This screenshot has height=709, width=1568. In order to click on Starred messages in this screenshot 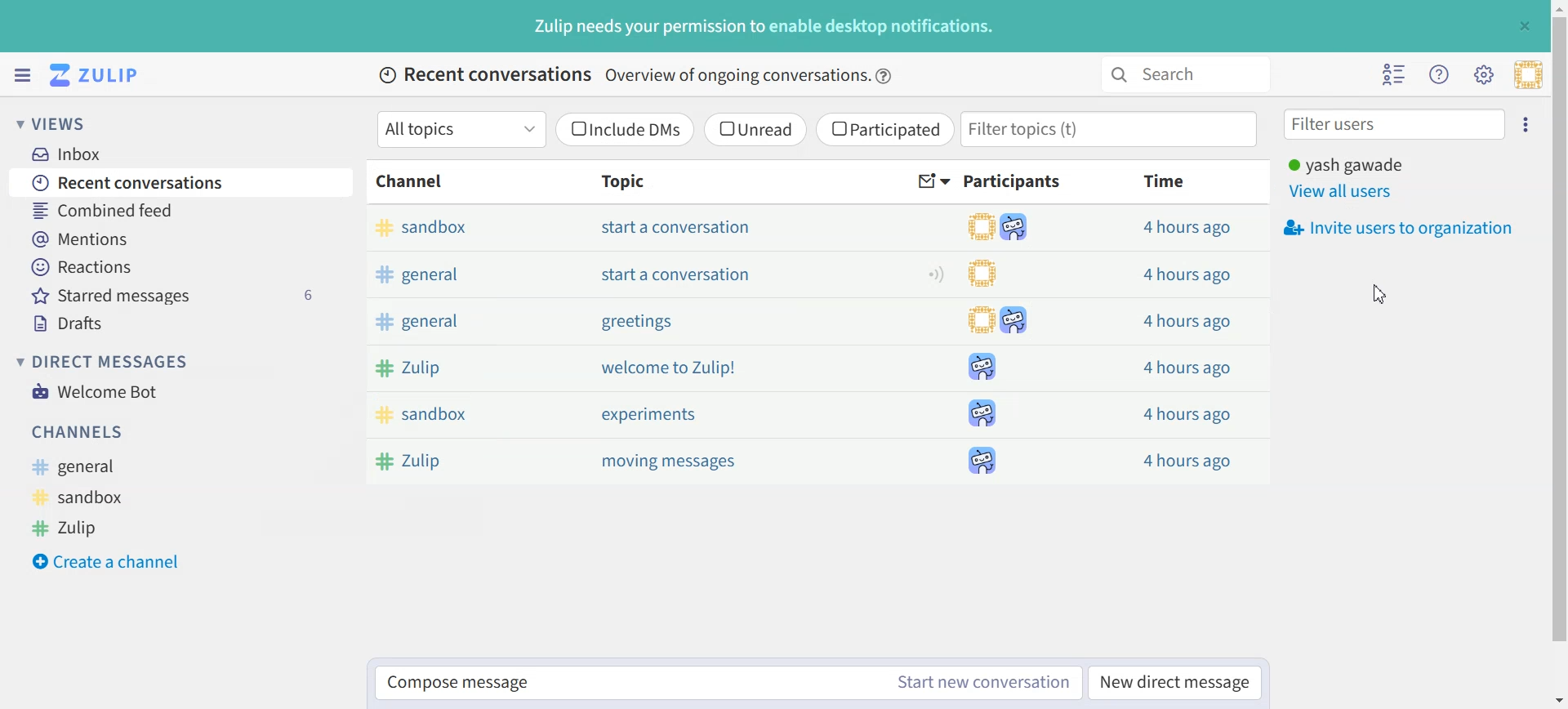, I will do `click(184, 295)`.